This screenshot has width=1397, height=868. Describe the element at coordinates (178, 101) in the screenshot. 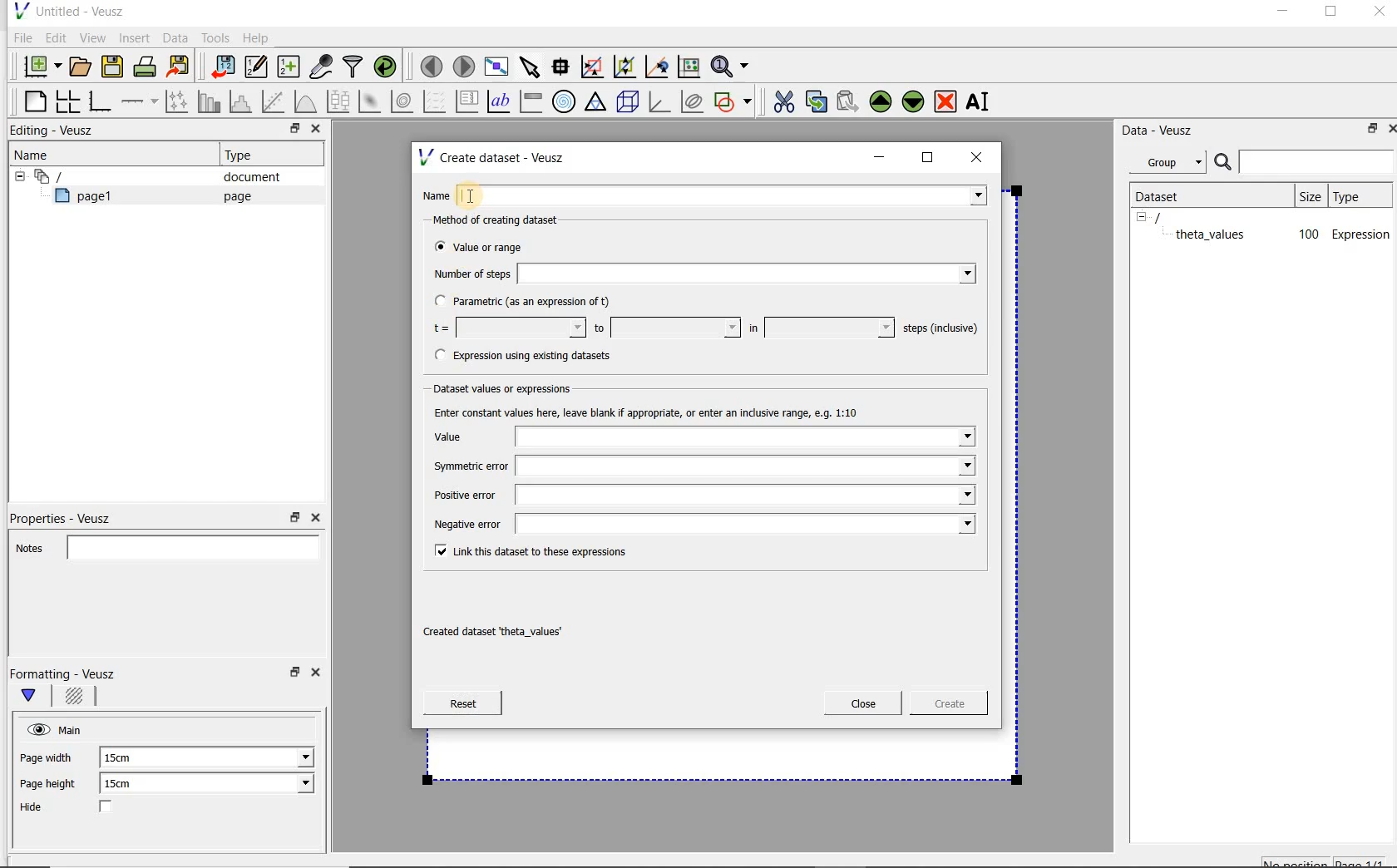

I see `Plot points with lines and error bars` at that location.